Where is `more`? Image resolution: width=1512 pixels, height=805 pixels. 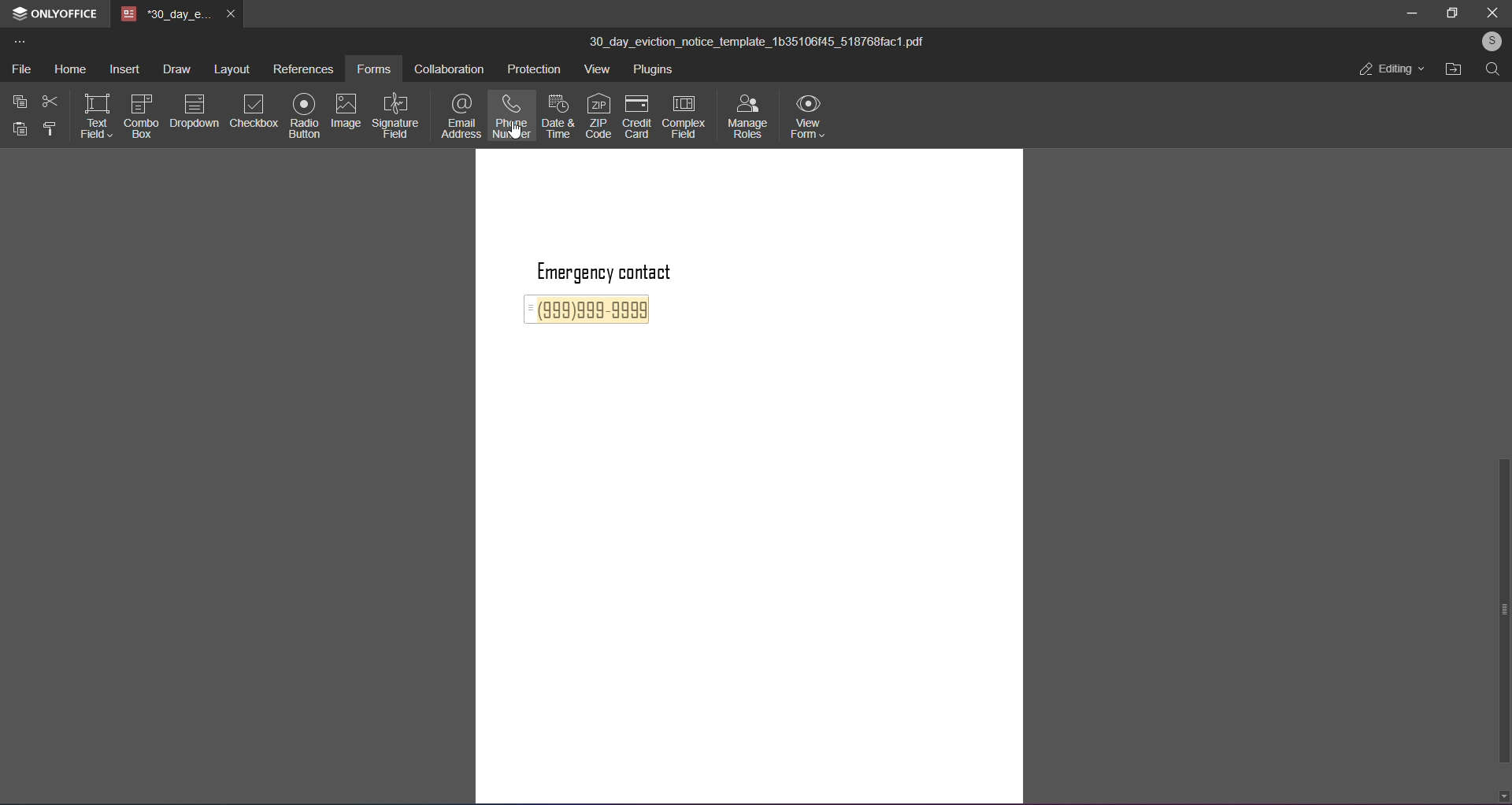 more is located at coordinates (18, 43).